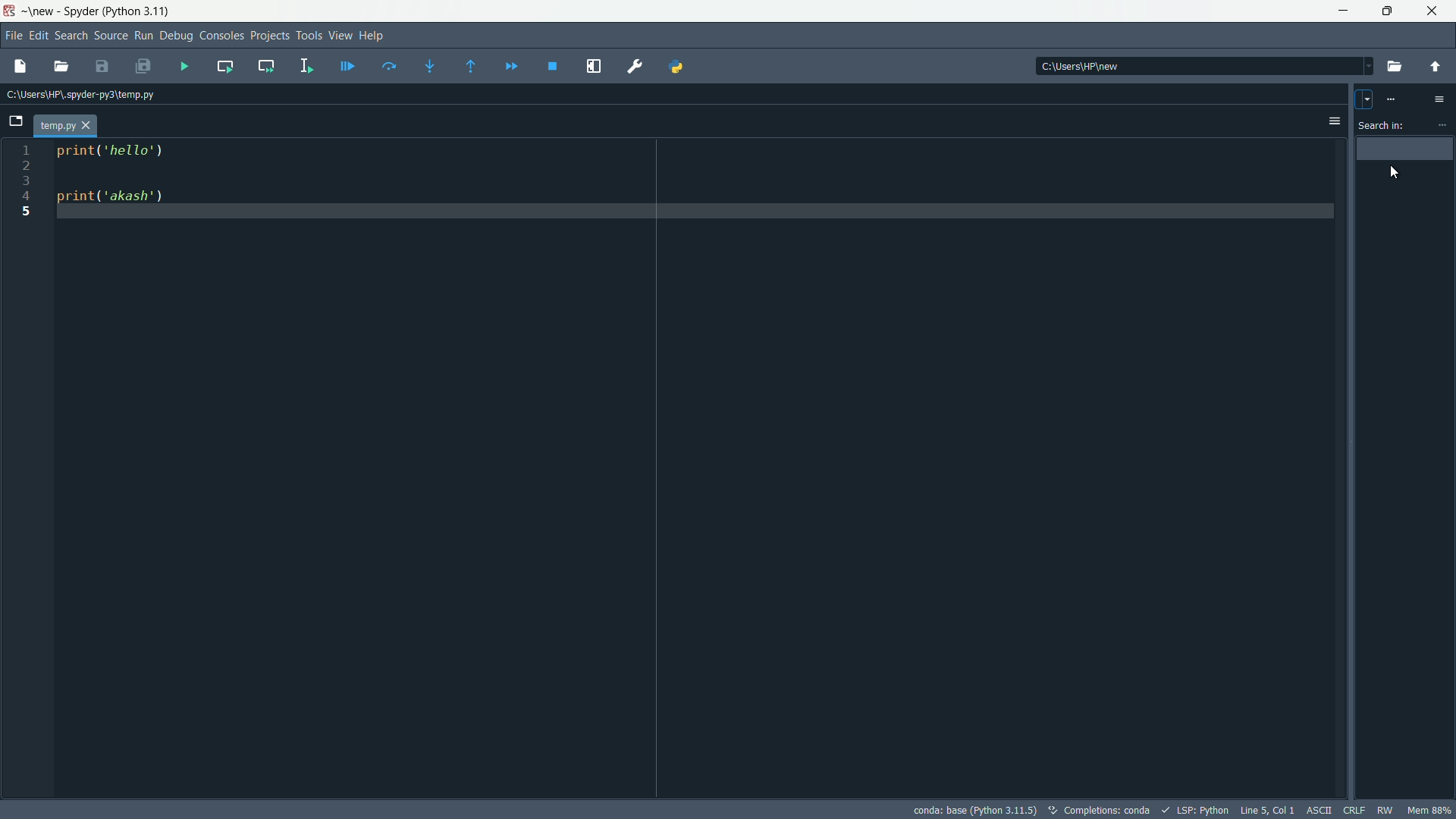 The width and height of the screenshot is (1456, 819). I want to click on mem 86%, so click(1429, 810).